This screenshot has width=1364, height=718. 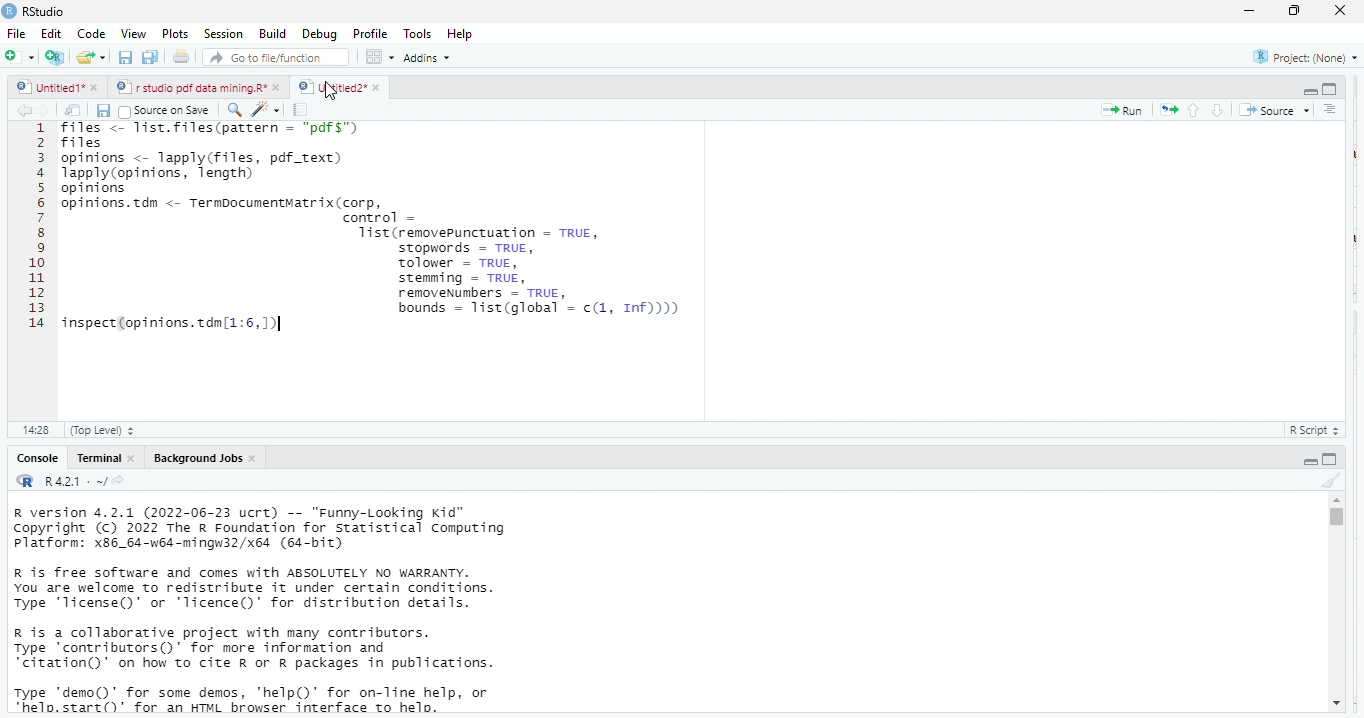 I want to click on R version 4.2.1 (2022-06-23 ucrt) -- "Funny-Looking Kid™
Copyright (C) 2022 The R Foundation for Statistical Computing
Platform: x86_64-w64-mingw32/x64 (64-bit)

R is free software and comes with ABSOLUTELY NO WARRANTY.
You are welcome to redistribute it under certain conditions.
Type 'Ticense()' or 'licence()’ for distribution details.

R is a collaborative project with many contributors.

Type ‘contributors()’ for more information and

“citation()’ on how to cite R or R packages in publications.
Type "demo()’ for some demos, 'help()' for on-line help, or
"helo.start()" for an HTML browser interface to helo., so click(x=291, y=611).